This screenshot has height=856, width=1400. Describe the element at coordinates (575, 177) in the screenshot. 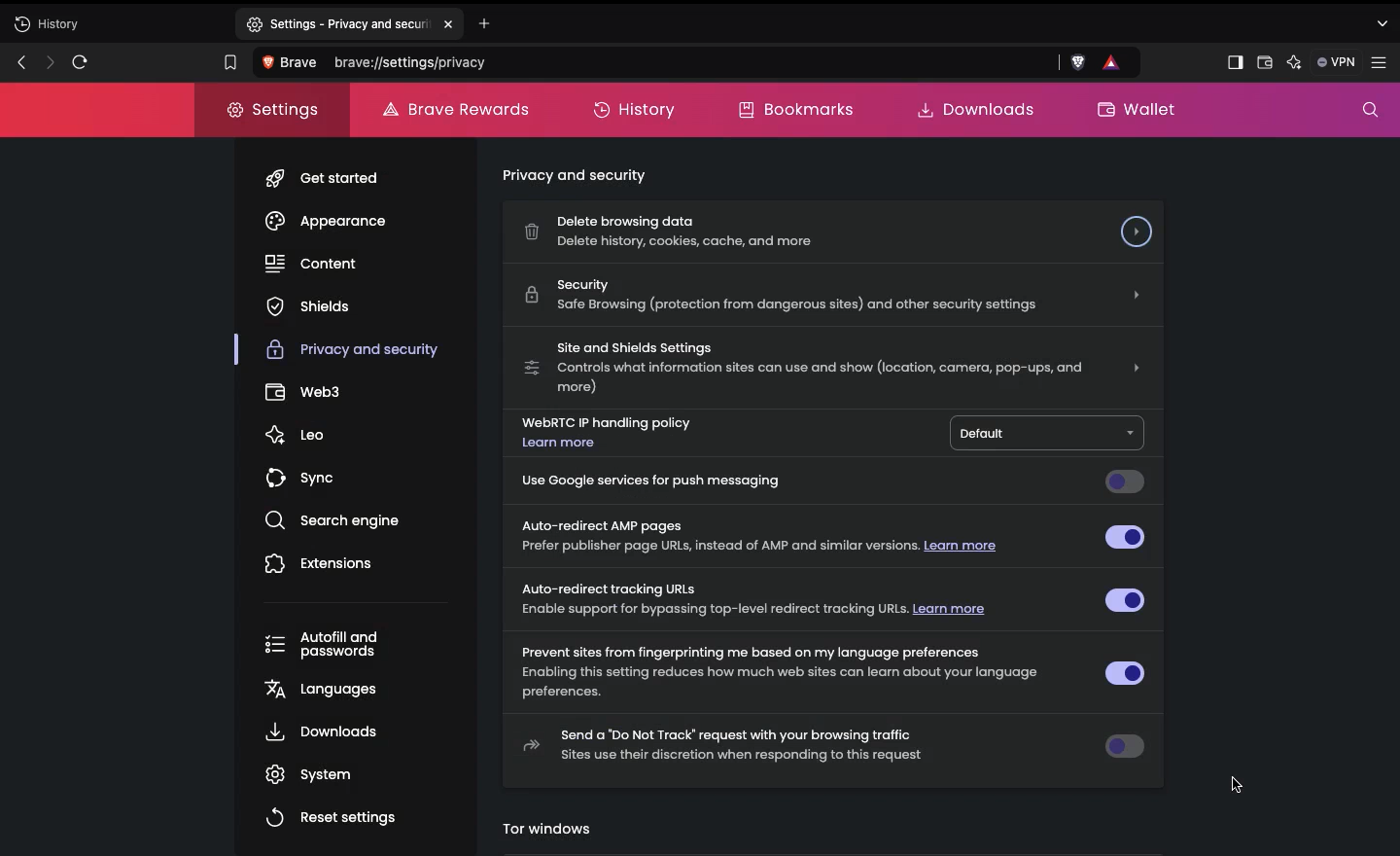

I see `privacy and security` at that location.